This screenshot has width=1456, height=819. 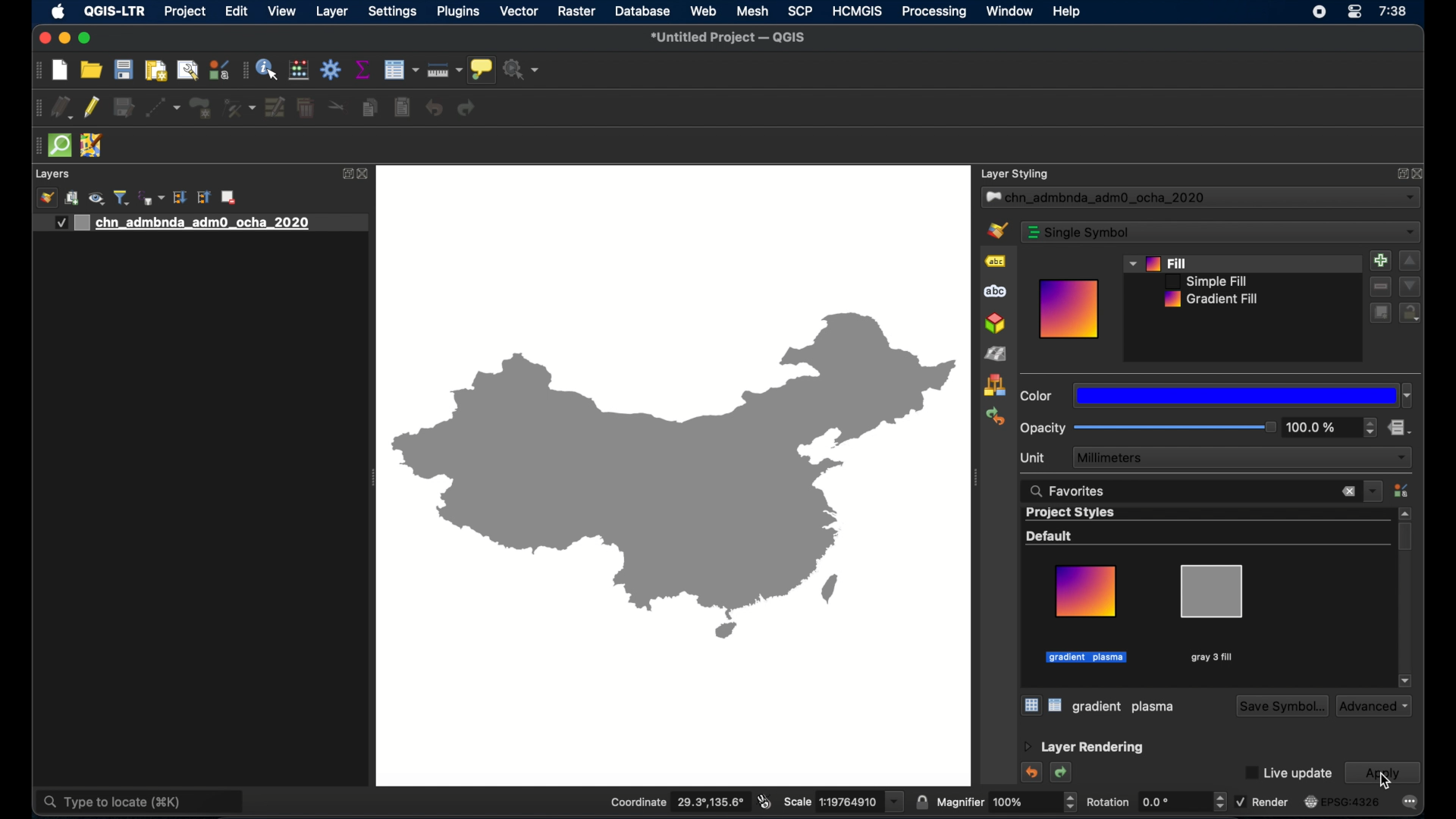 What do you see at coordinates (115, 12) in the screenshot?
I see `QGIS-LTR` at bounding box center [115, 12].